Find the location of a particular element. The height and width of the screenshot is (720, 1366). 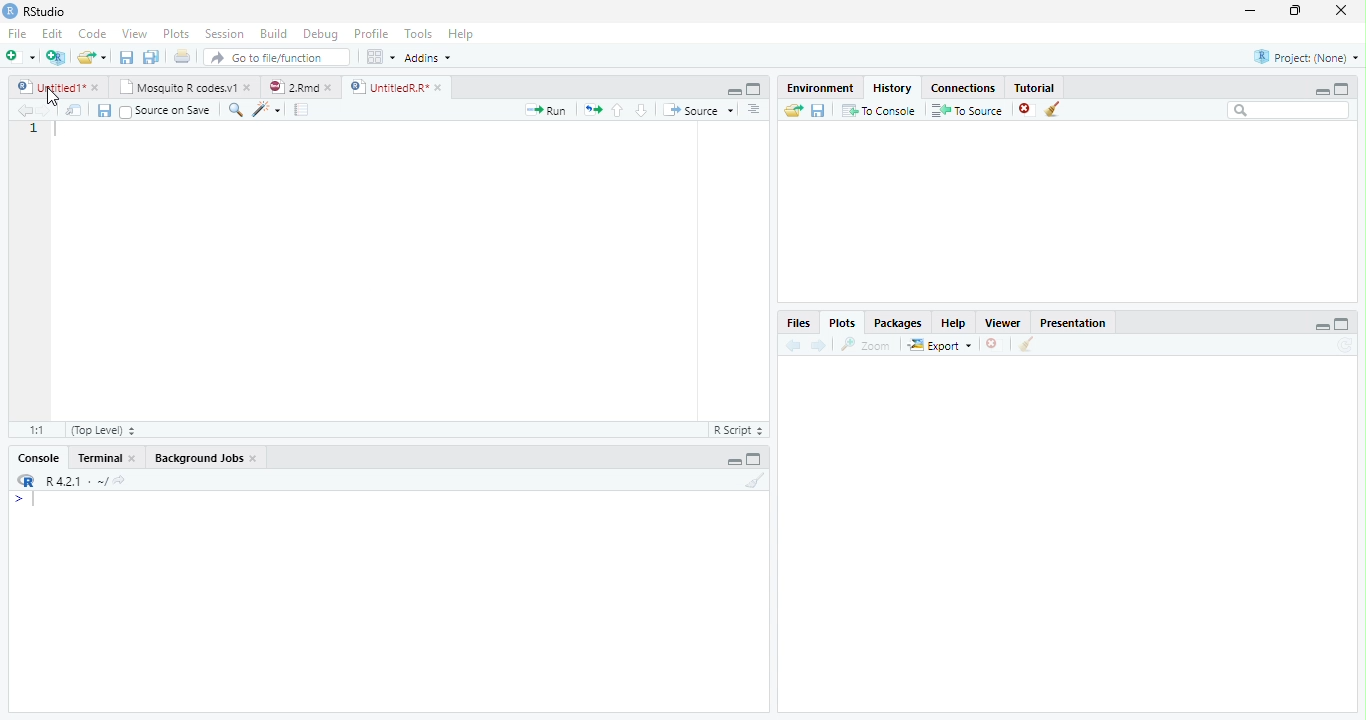

save is located at coordinates (104, 111).